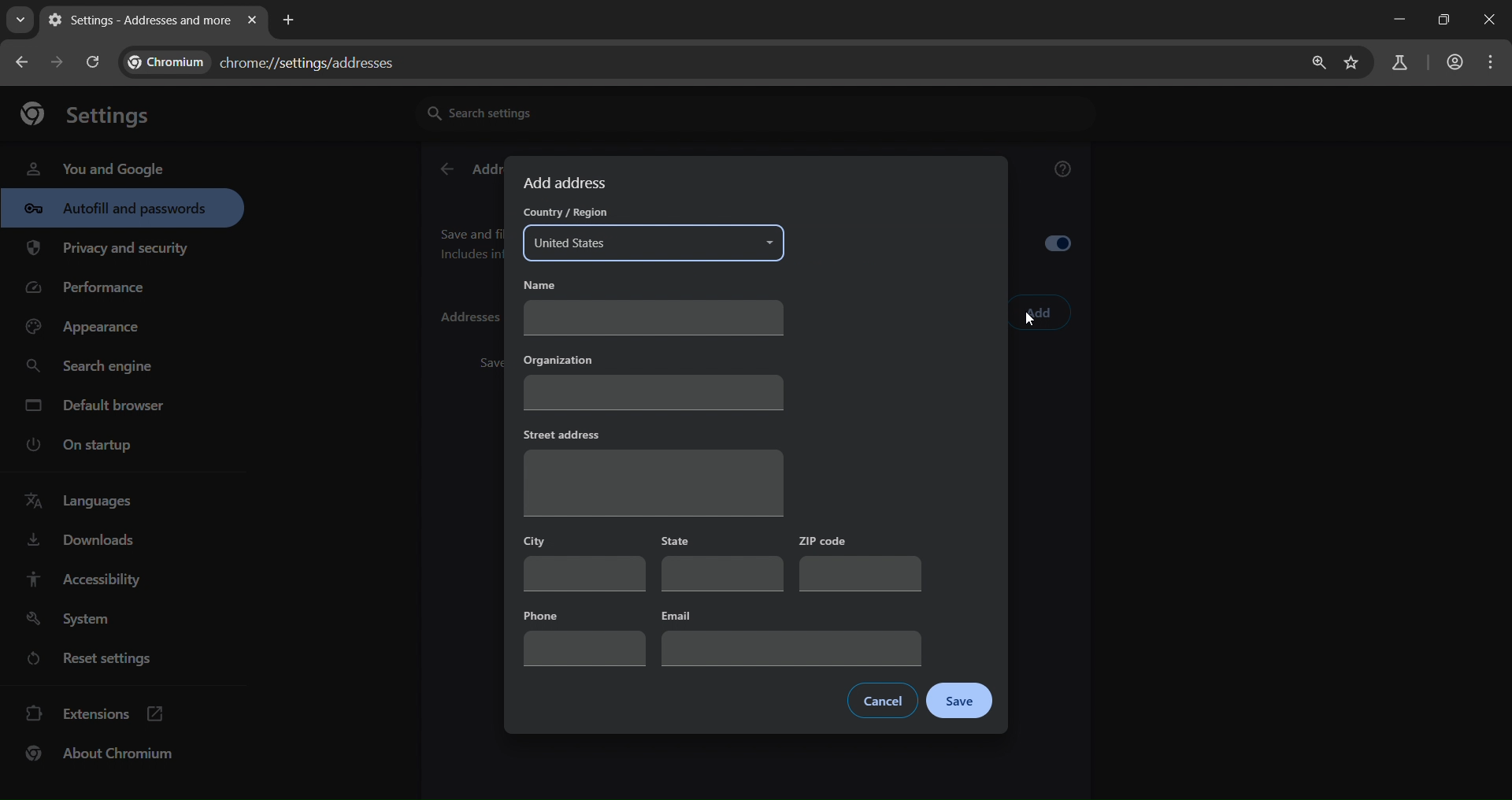  What do you see at coordinates (1039, 313) in the screenshot?
I see `add` at bounding box center [1039, 313].